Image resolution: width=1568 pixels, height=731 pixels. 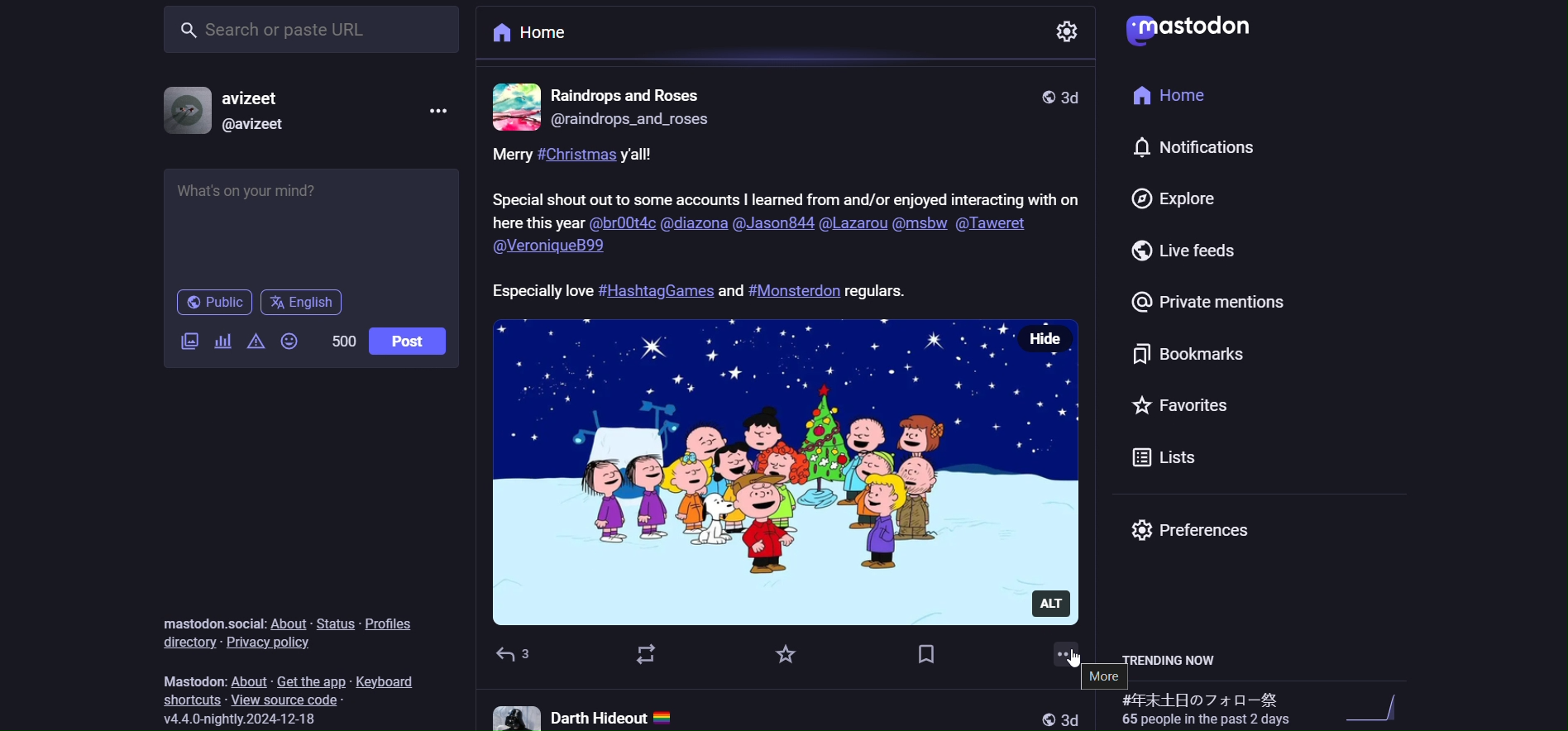 I want to click on trending now, so click(x=1169, y=661).